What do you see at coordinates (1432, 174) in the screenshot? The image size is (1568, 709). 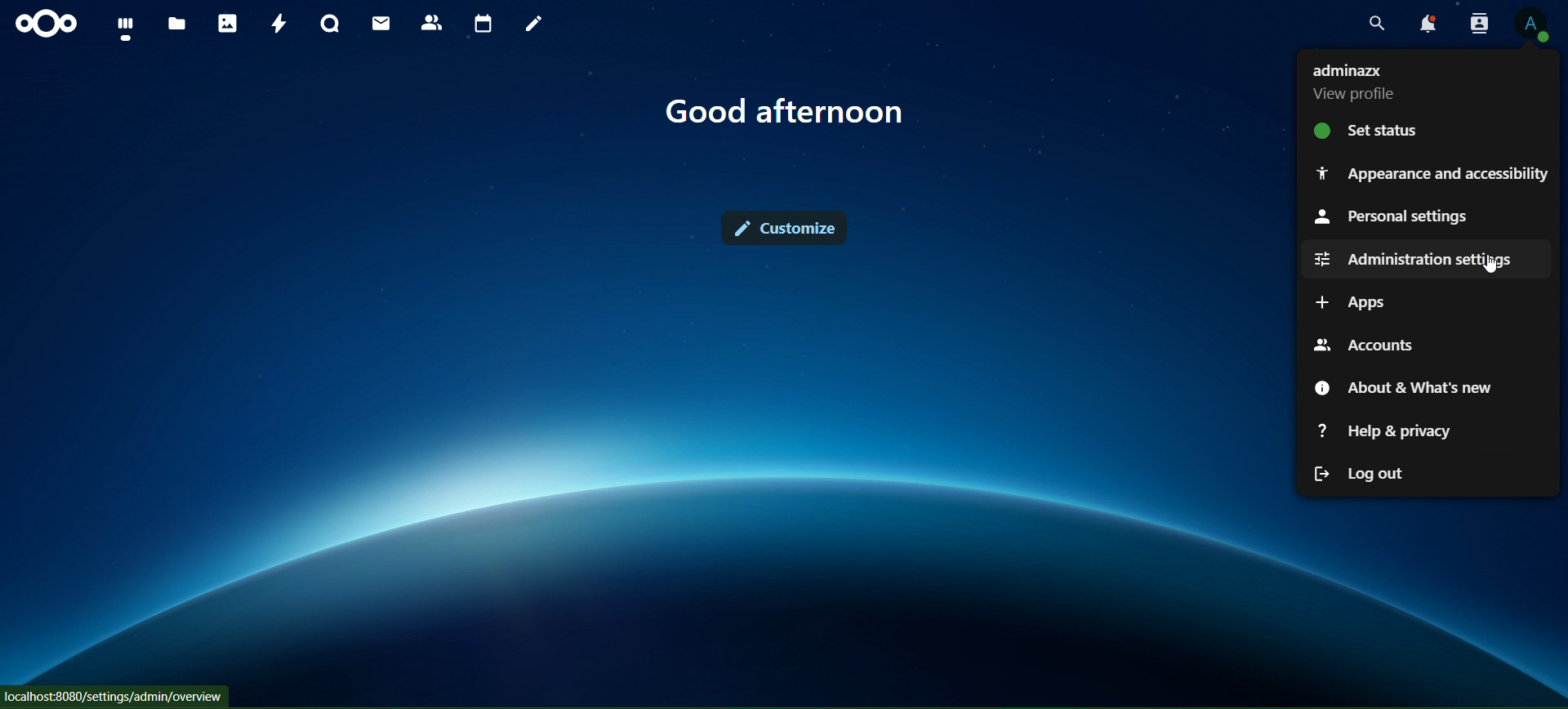 I see `appearance and accessibilty` at bounding box center [1432, 174].